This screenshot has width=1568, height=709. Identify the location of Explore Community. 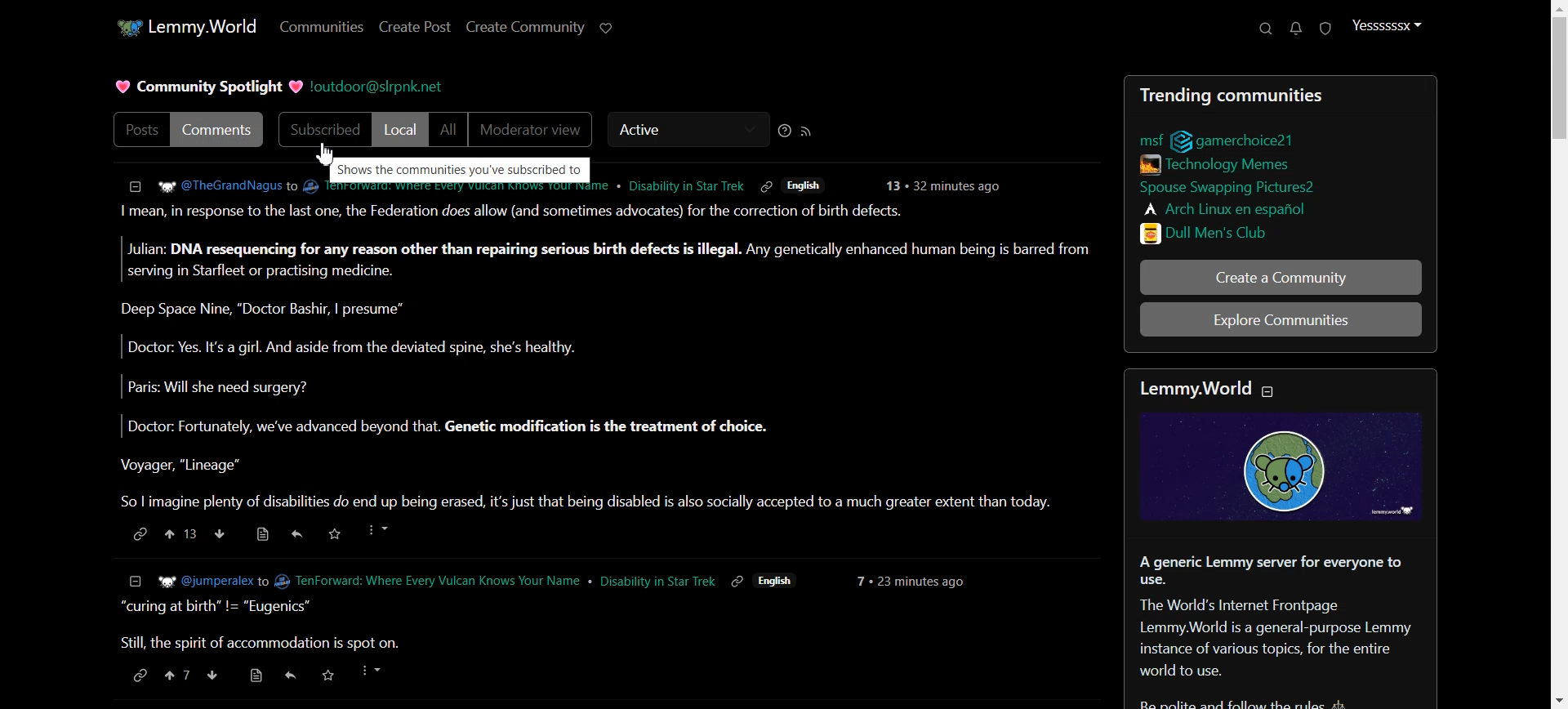
(1281, 319).